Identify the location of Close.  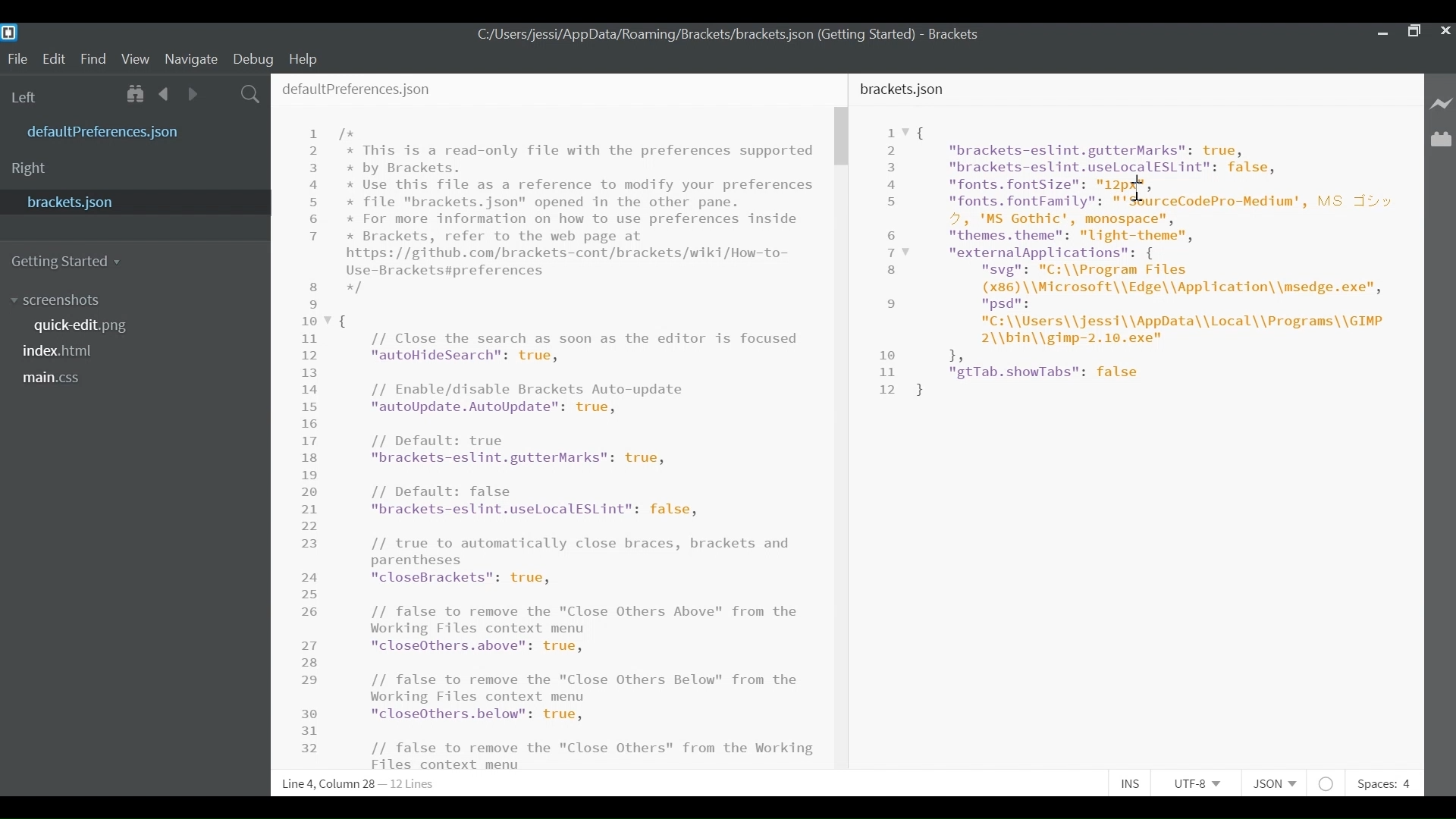
(1444, 30).